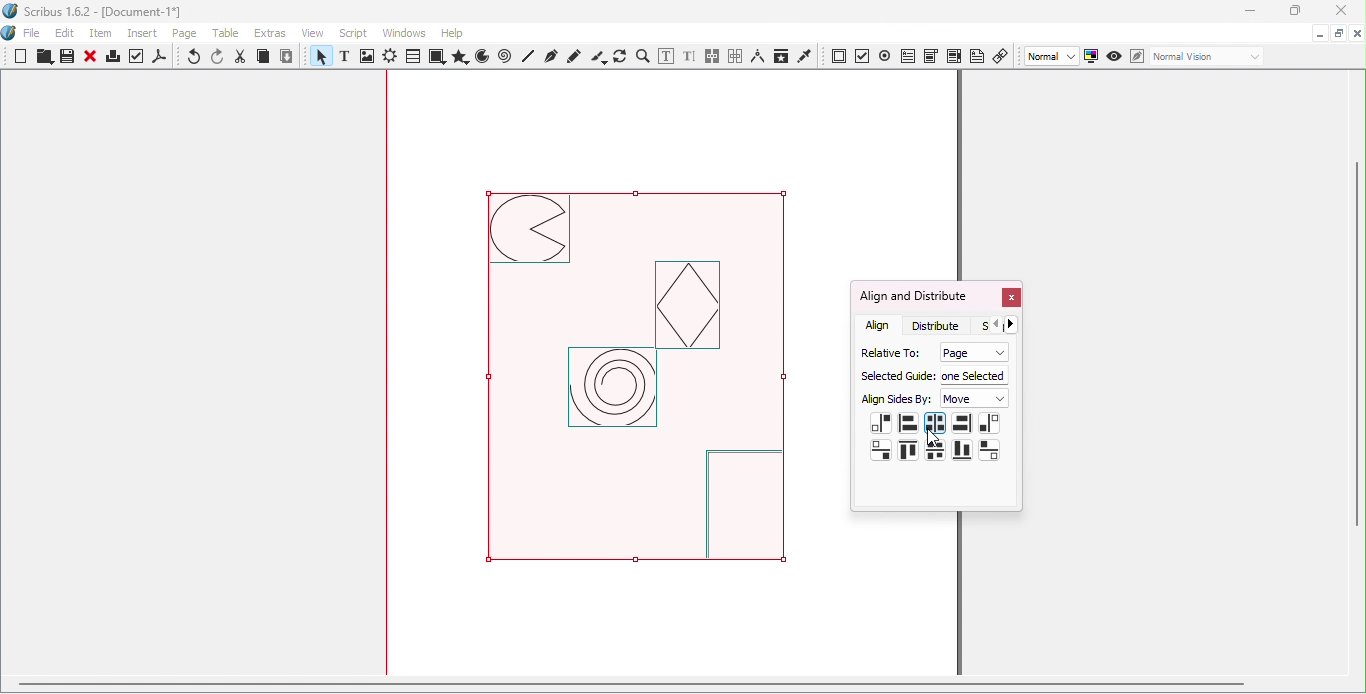 The width and height of the screenshot is (1366, 694). What do you see at coordinates (642, 56) in the screenshot?
I see `Zoom in or out` at bounding box center [642, 56].